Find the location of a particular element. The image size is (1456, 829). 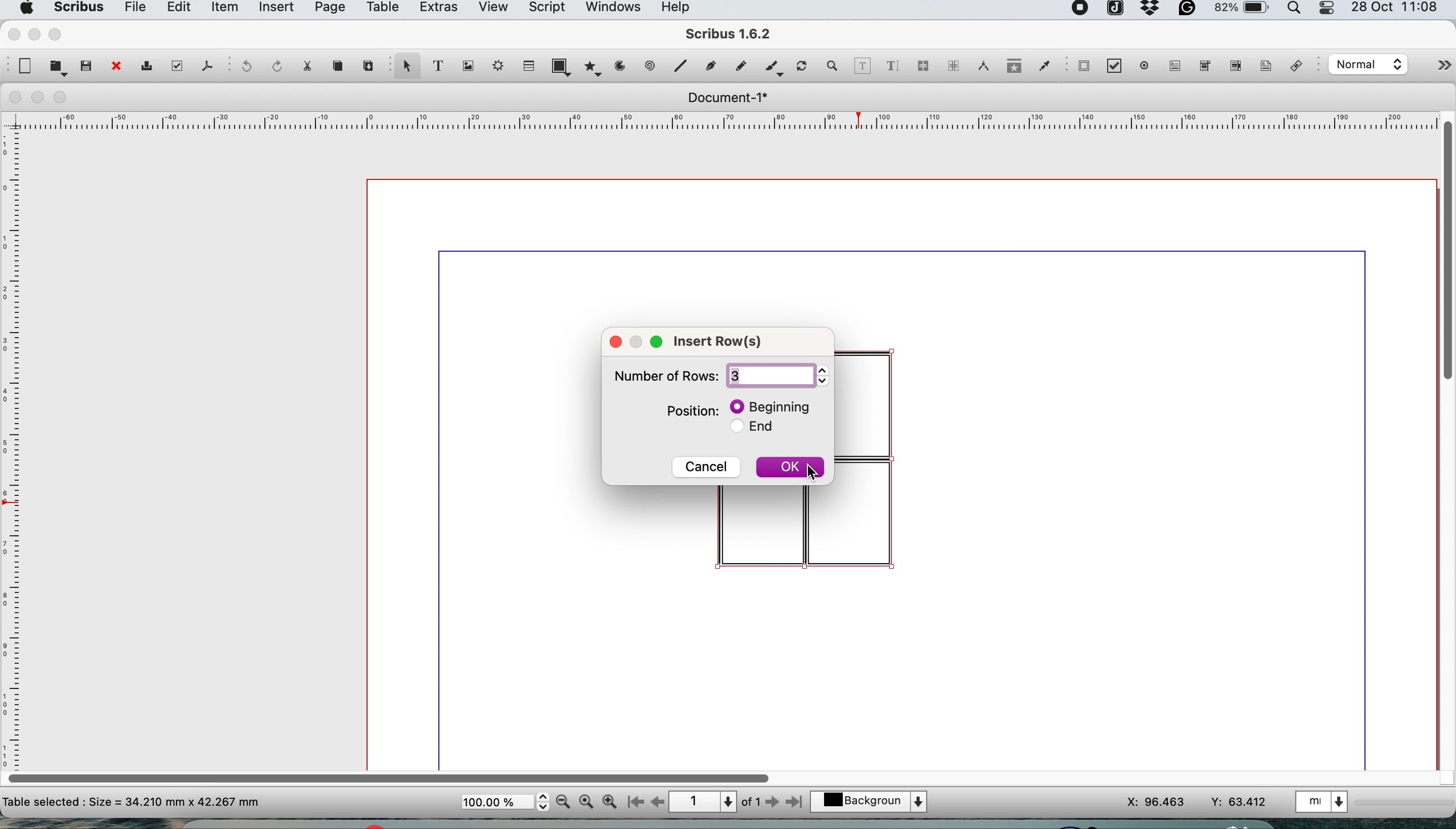

vertical scroll bar is located at coordinates (1446, 248).